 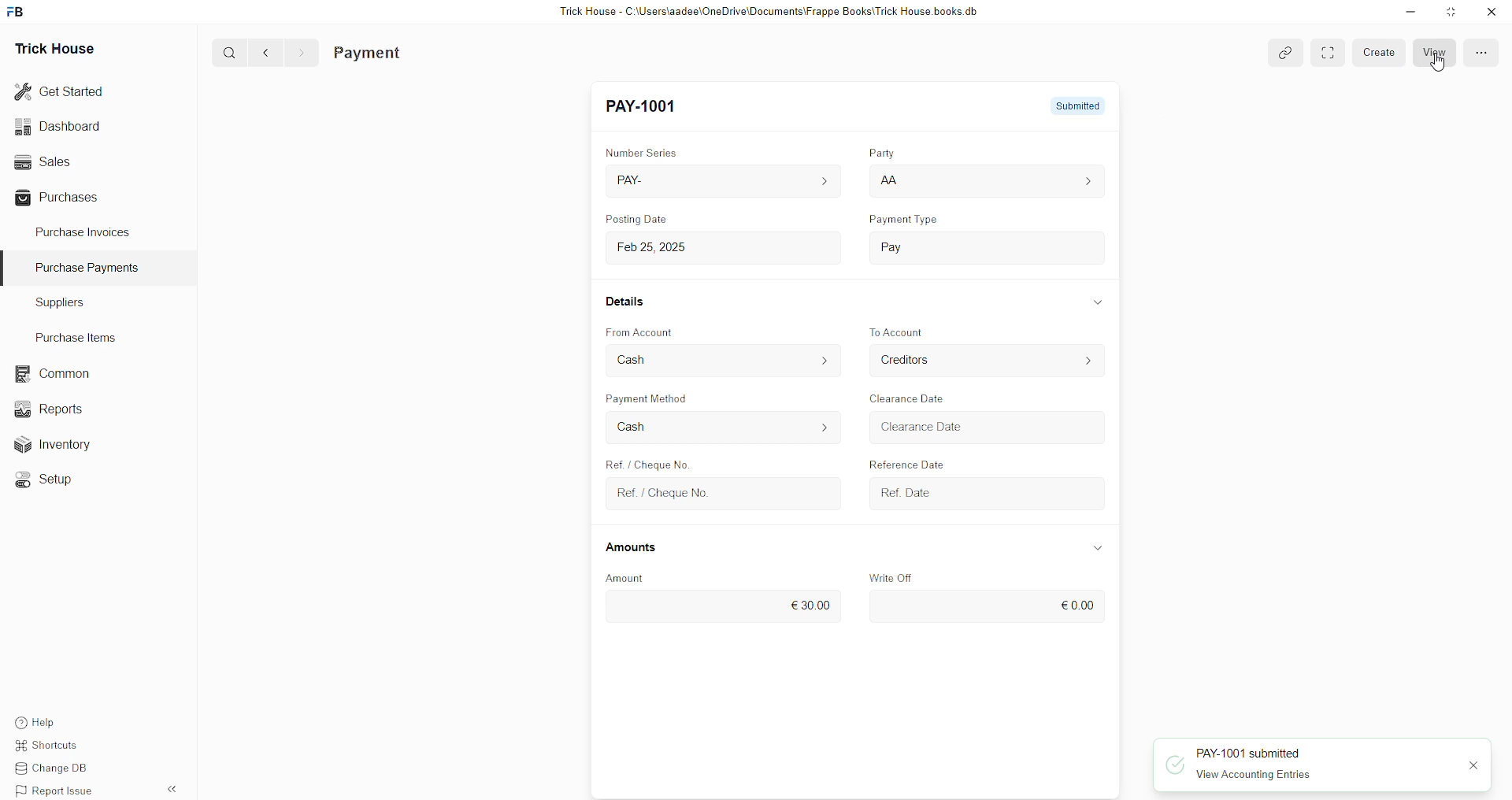 What do you see at coordinates (636, 426) in the screenshot?
I see `Cash` at bounding box center [636, 426].